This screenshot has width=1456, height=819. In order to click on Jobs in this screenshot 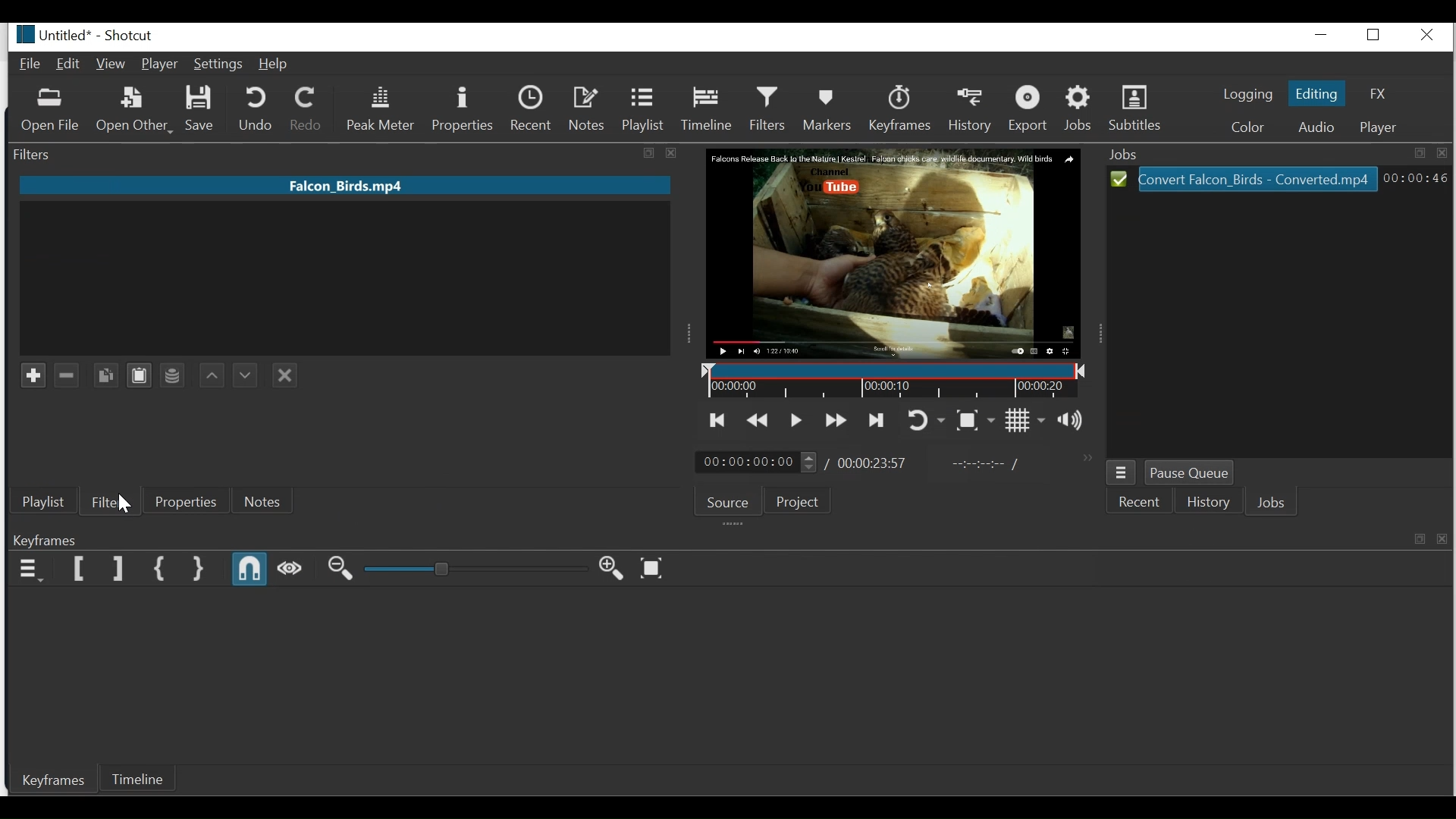, I will do `click(1272, 503)`.